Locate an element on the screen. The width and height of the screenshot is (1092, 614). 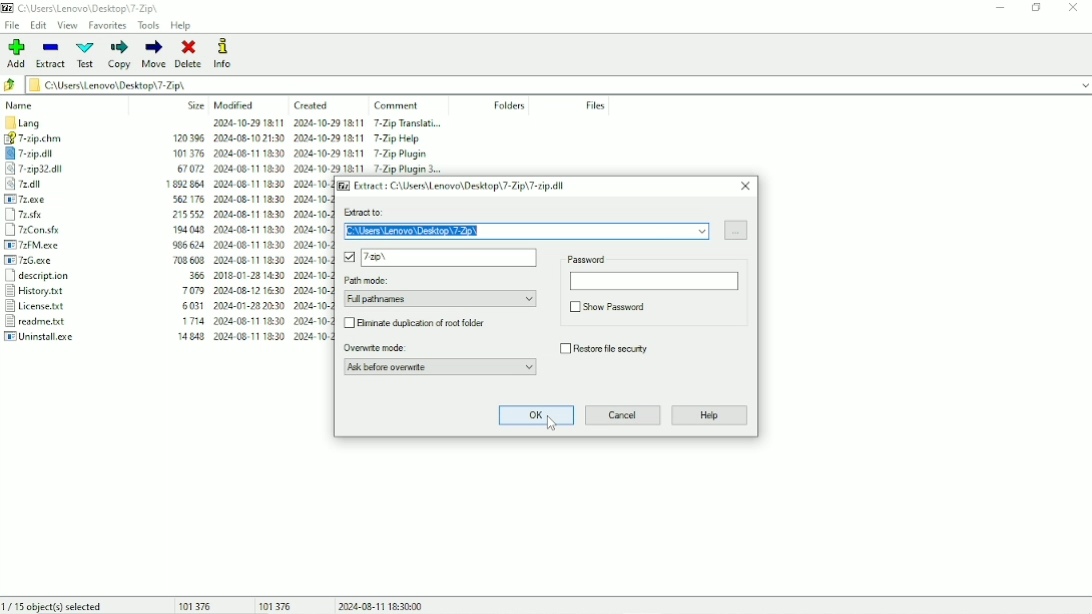
Back is located at coordinates (11, 85).